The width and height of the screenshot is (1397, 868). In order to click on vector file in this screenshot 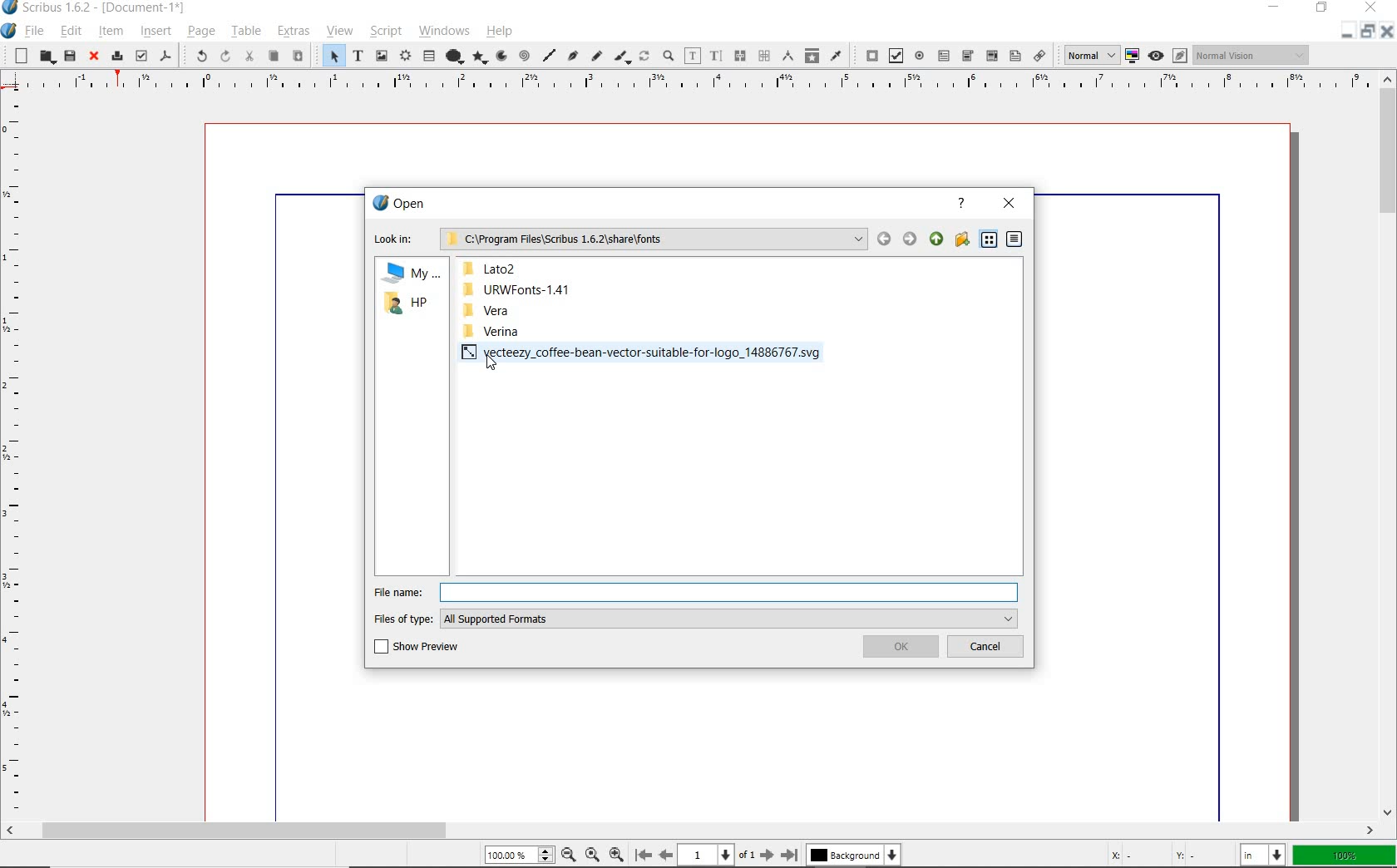, I will do `click(645, 353)`.